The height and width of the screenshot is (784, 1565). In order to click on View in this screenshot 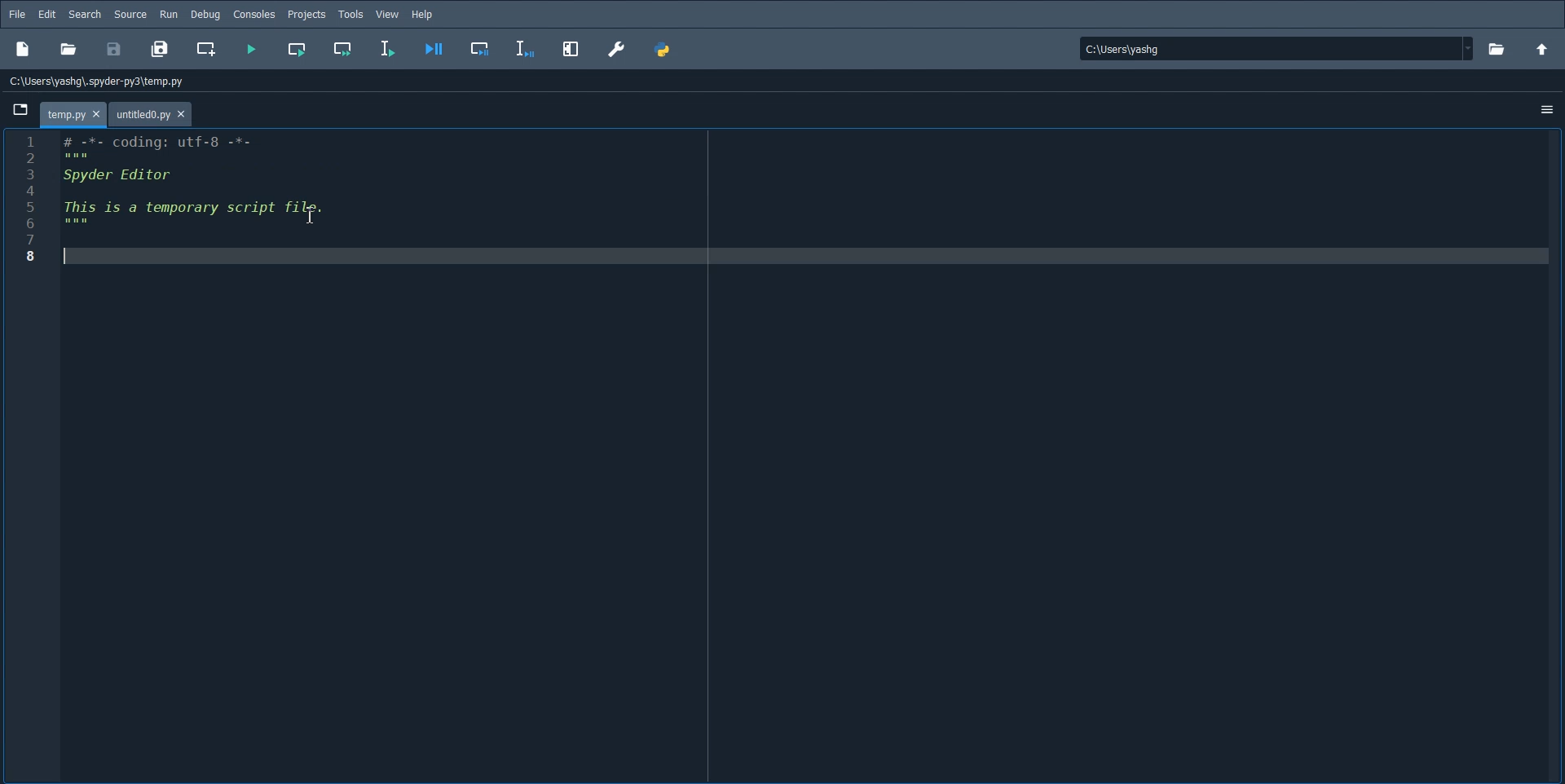, I will do `click(388, 13)`.